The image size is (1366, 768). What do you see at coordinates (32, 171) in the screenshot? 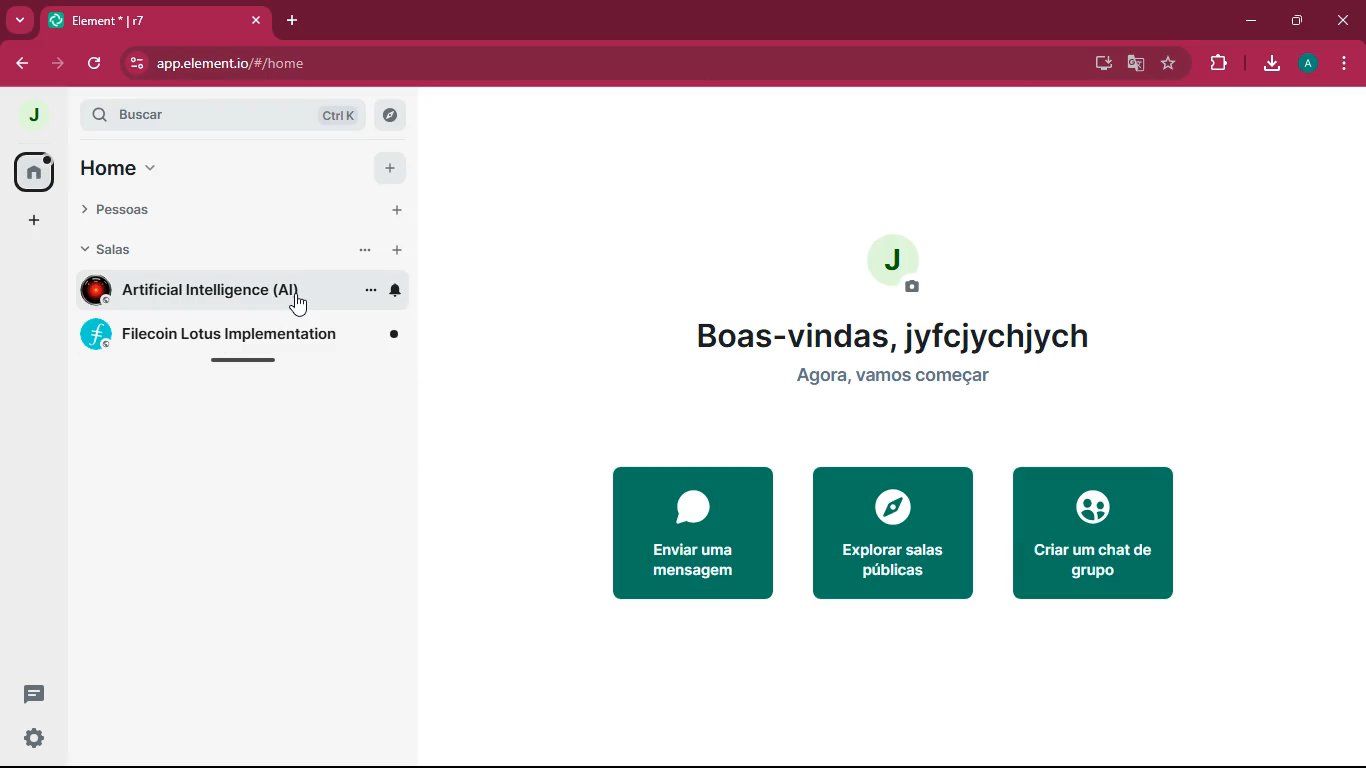
I see `home` at bounding box center [32, 171].